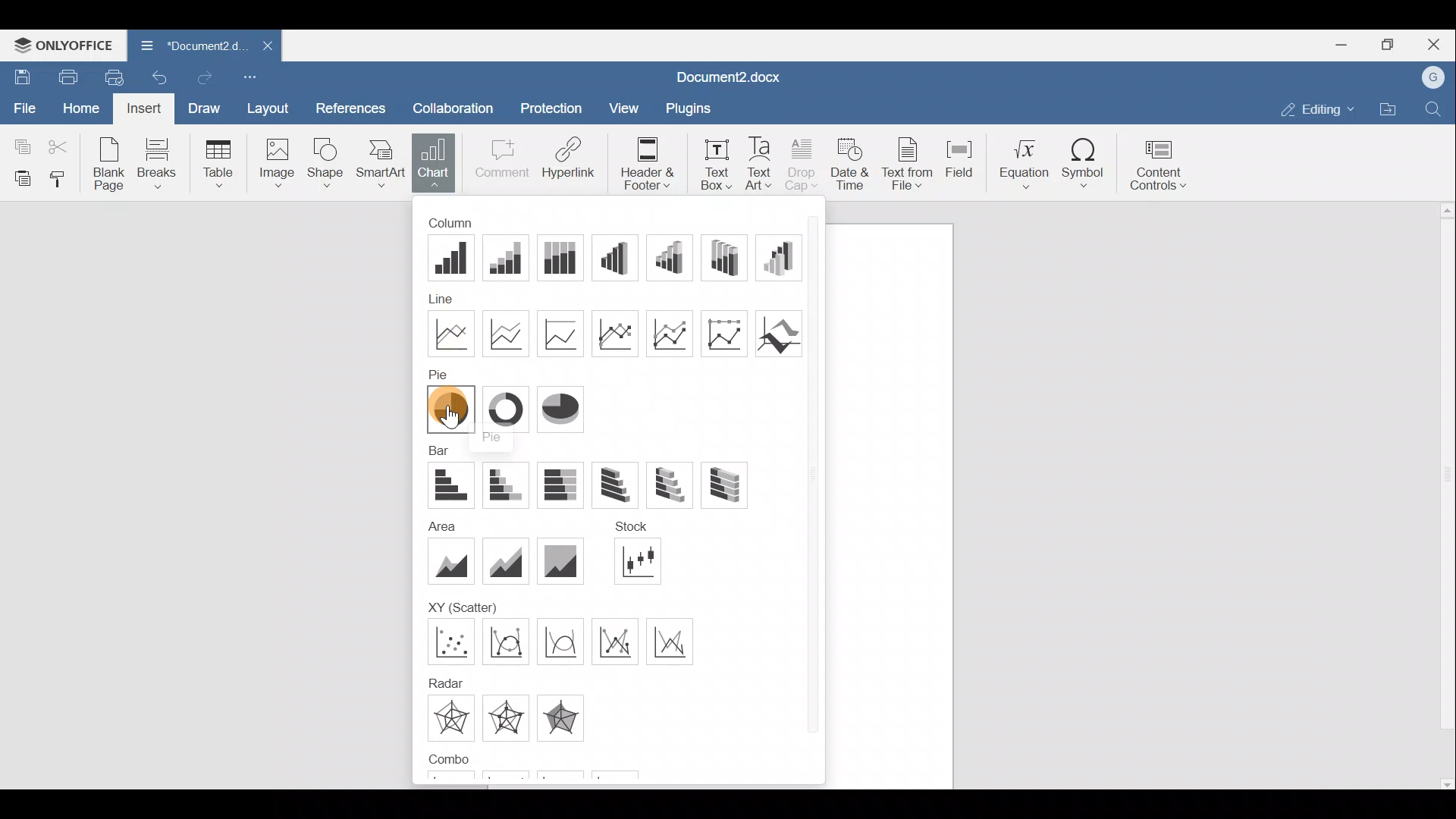 The width and height of the screenshot is (1456, 819). I want to click on Scatter with smooth lines, so click(508, 639).